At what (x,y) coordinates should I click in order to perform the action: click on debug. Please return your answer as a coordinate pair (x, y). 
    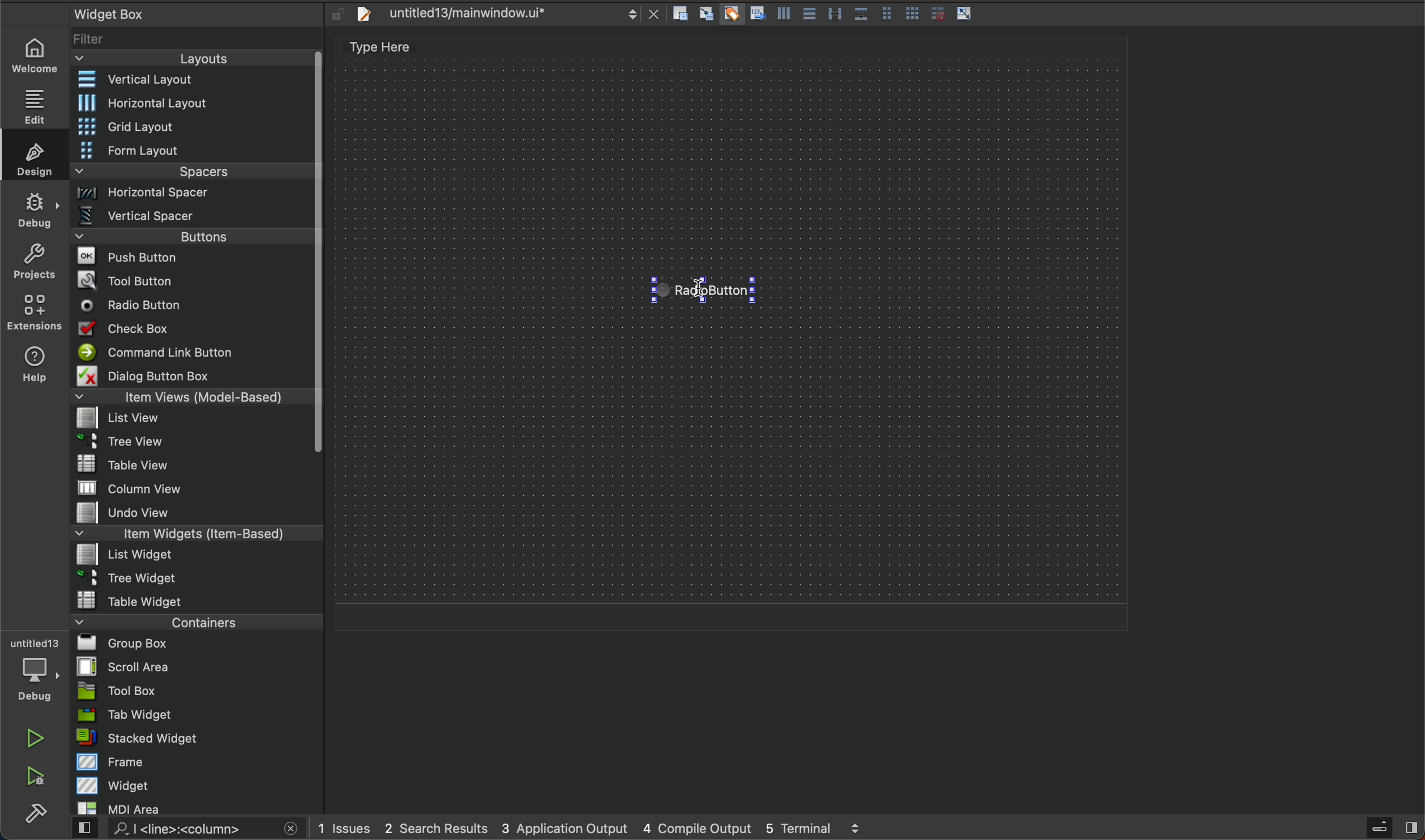
    Looking at the image, I should click on (41, 671).